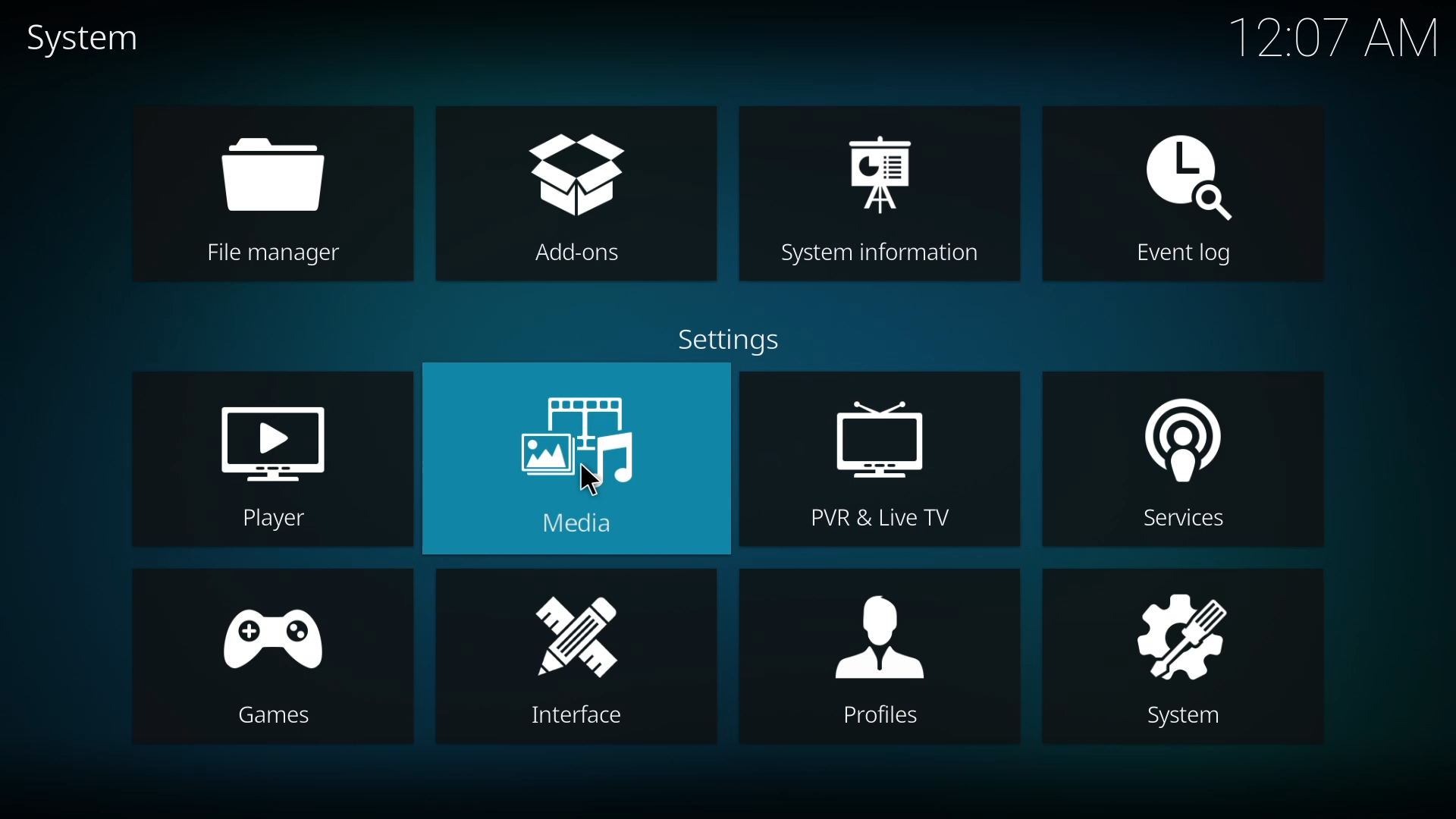 This screenshot has height=819, width=1456. What do you see at coordinates (880, 463) in the screenshot?
I see `pvr & live tv` at bounding box center [880, 463].